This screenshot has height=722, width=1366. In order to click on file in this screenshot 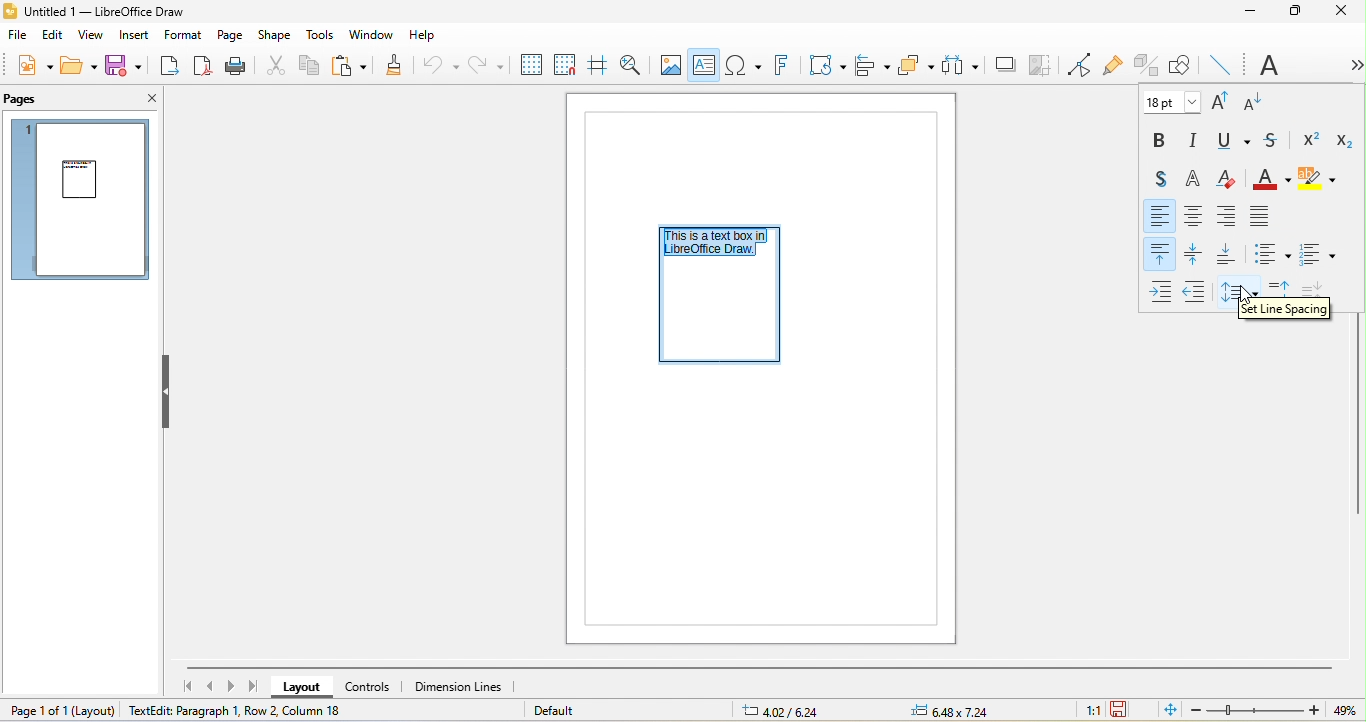, I will do `click(20, 36)`.